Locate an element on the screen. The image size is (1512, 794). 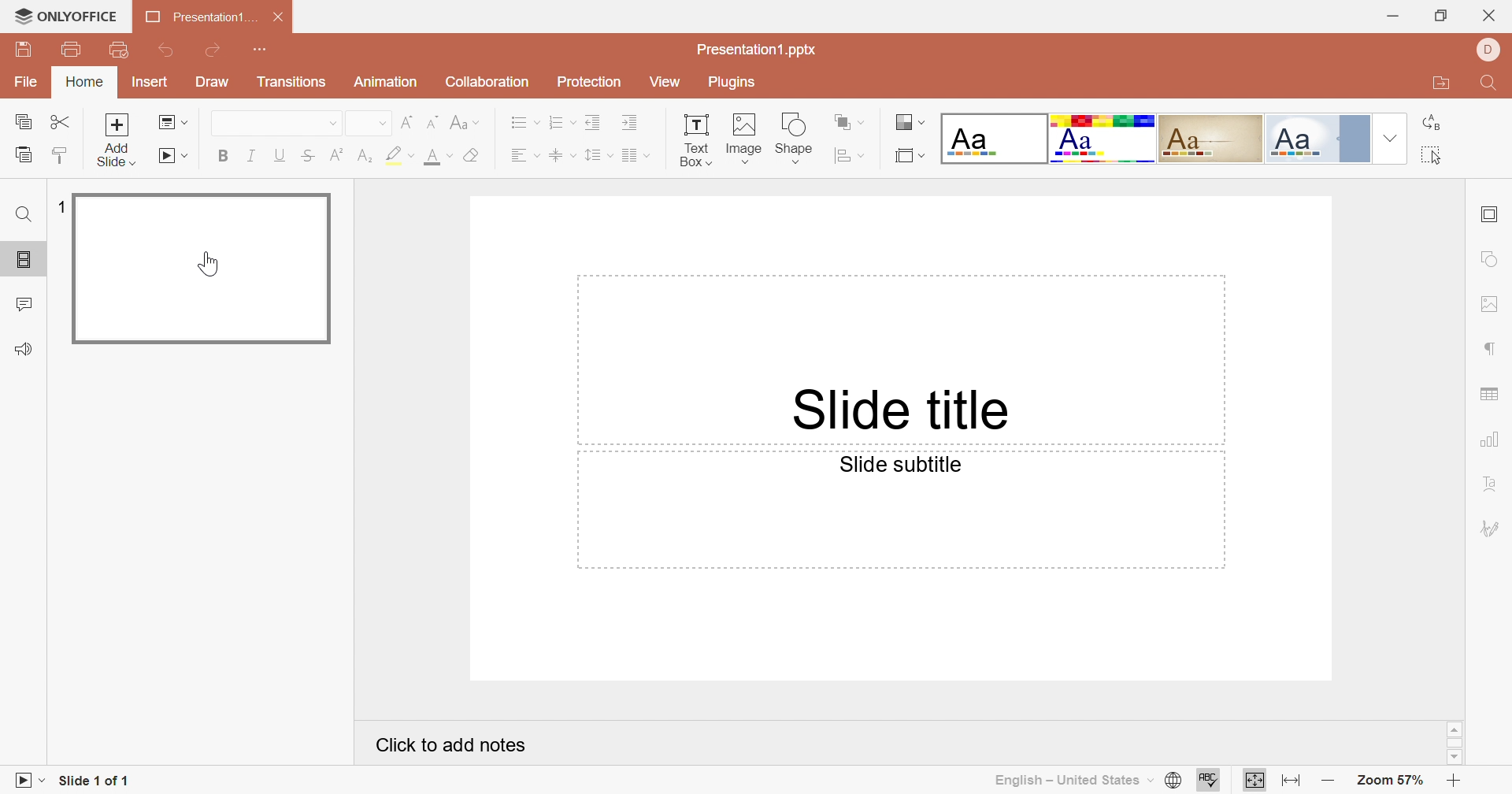
Clear is located at coordinates (474, 154).